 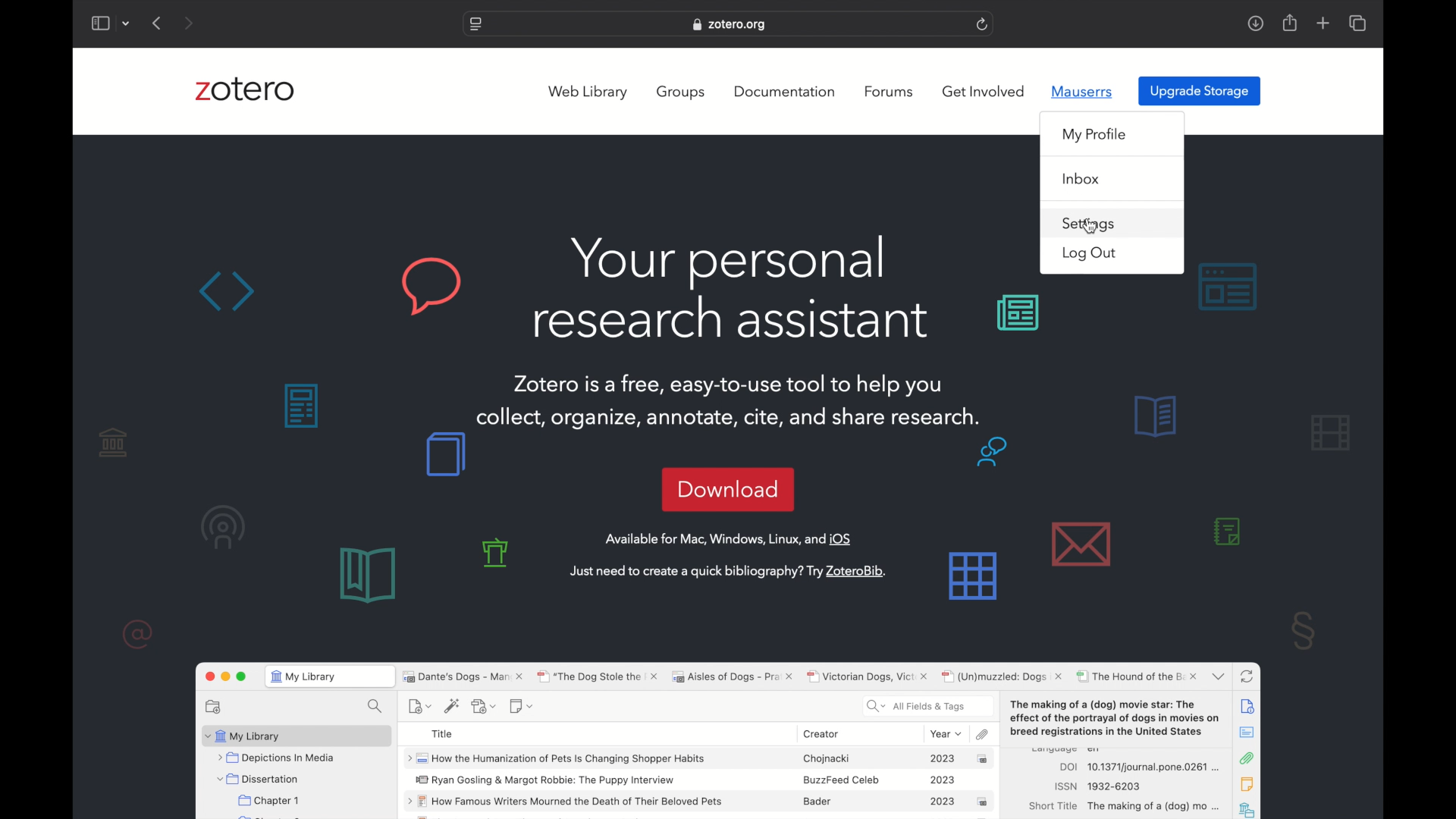 What do you see at coordinates (1357, 23) in the screenshot?
I see `show tab overview` at bounding box center [1357, 23].